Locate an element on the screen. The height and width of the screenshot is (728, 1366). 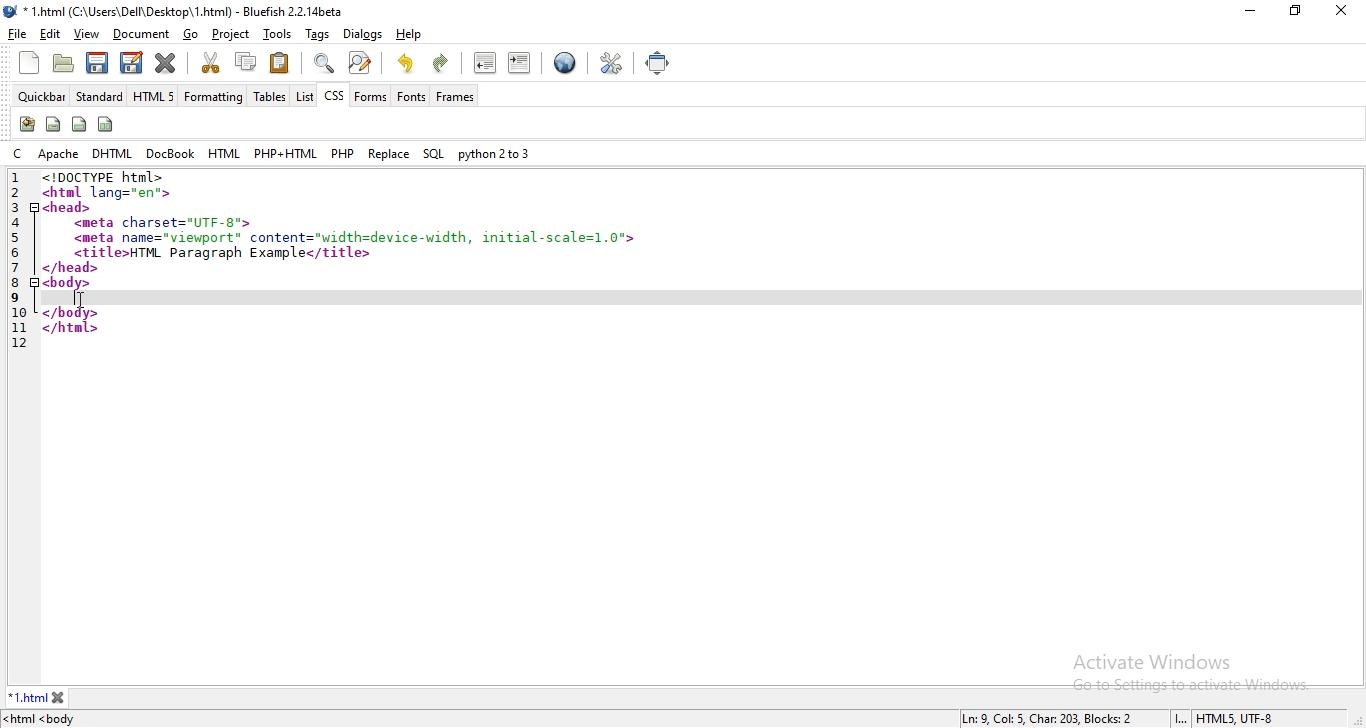
view is located at coordinates (85, 34).